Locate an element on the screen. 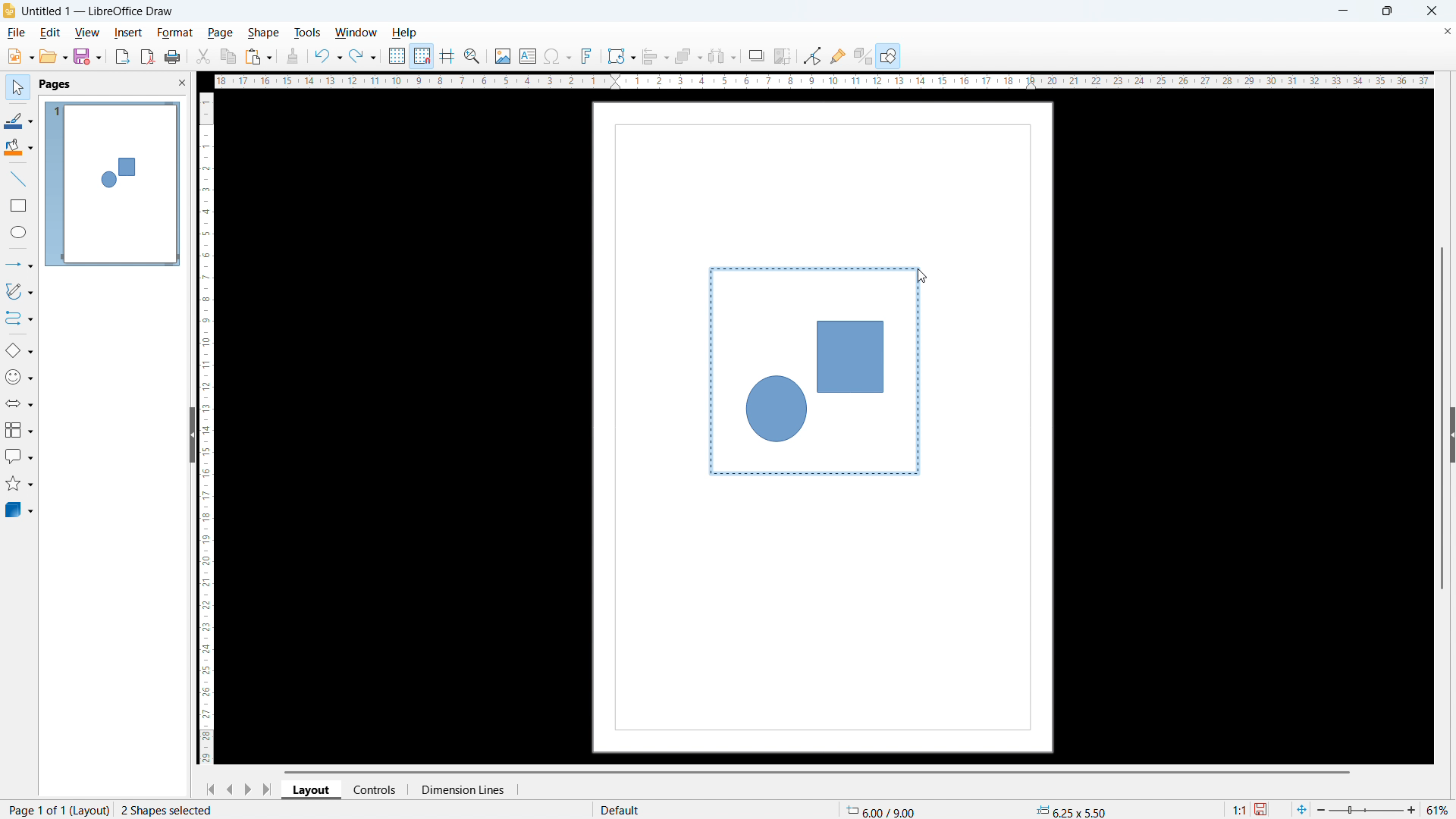 This screenshot has height=819, width=1456. show gluepoint function is located at coordinates (839, 55).